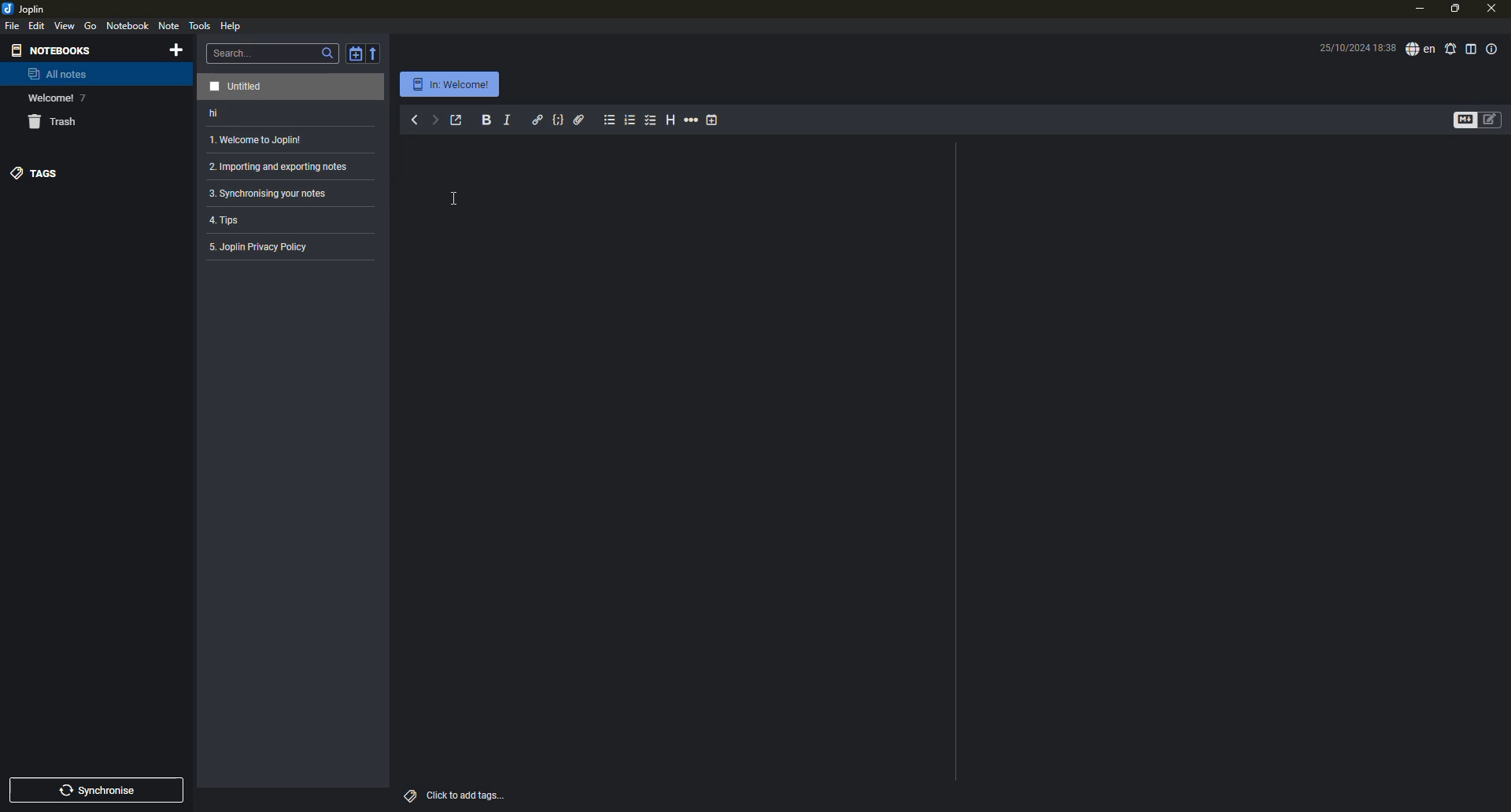 This screenshot has width=1511, height=812. What do you see at coordinates (456, 120) in the screenshot?
I see `toggle external editing` at bounding box center [456, 120].